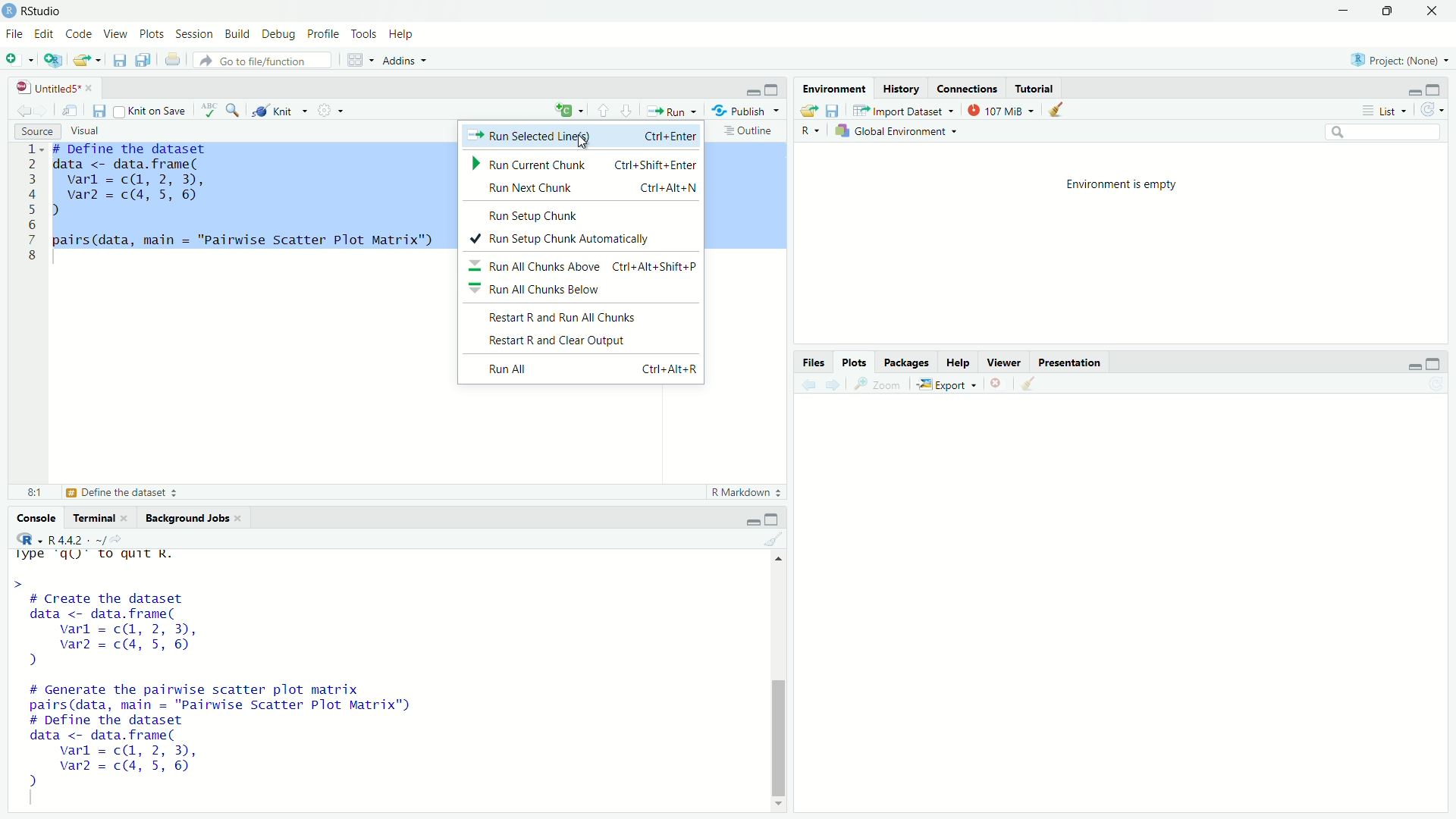 This screenshot has height=819, width=1456. What do you see at coordinates (899, 130) in the screenshot?
I see `Global Environment` at bounding box center [899, 130].